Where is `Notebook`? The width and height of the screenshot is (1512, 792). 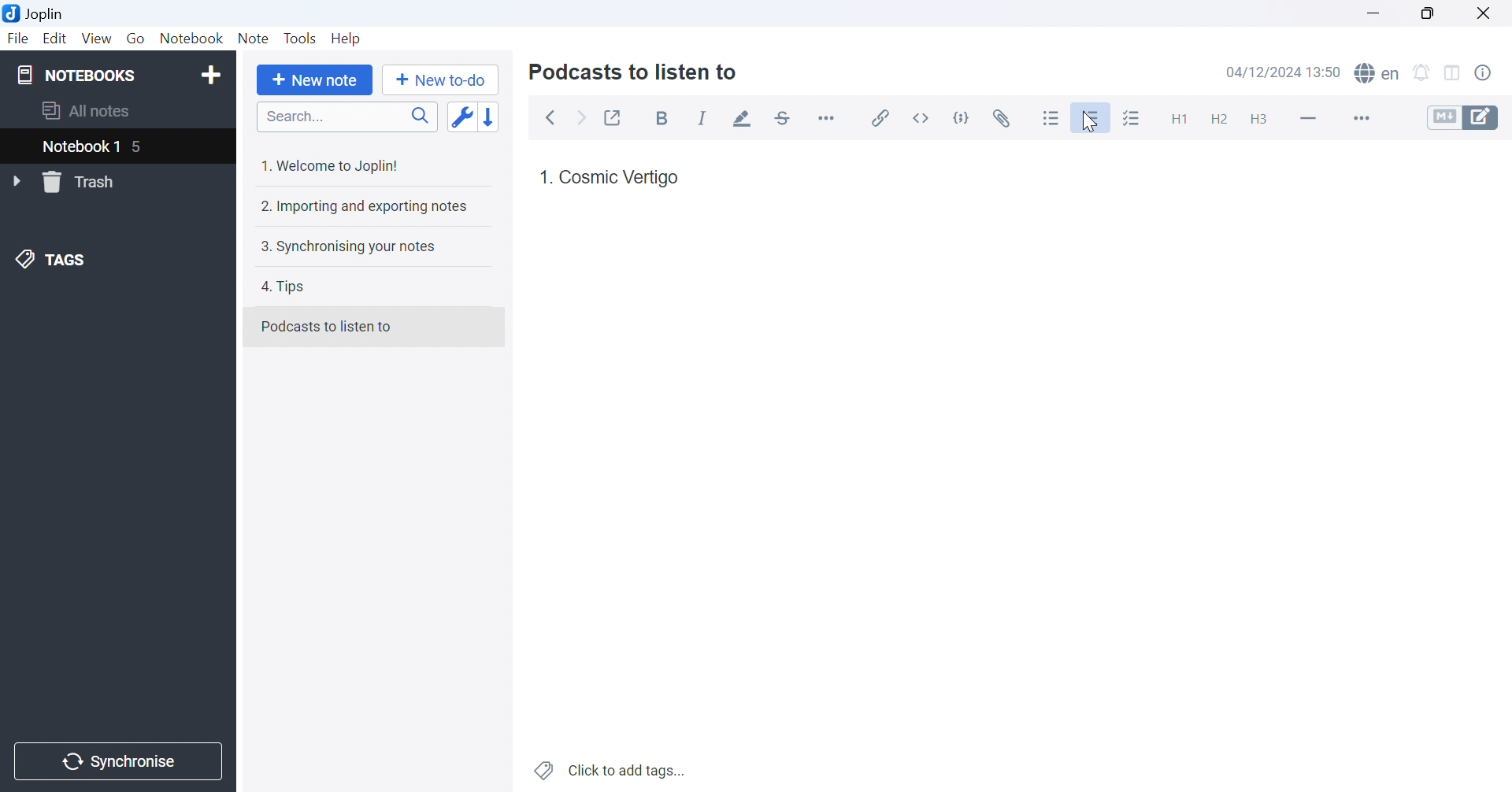 Notebook is located at coordinates (192, 37).